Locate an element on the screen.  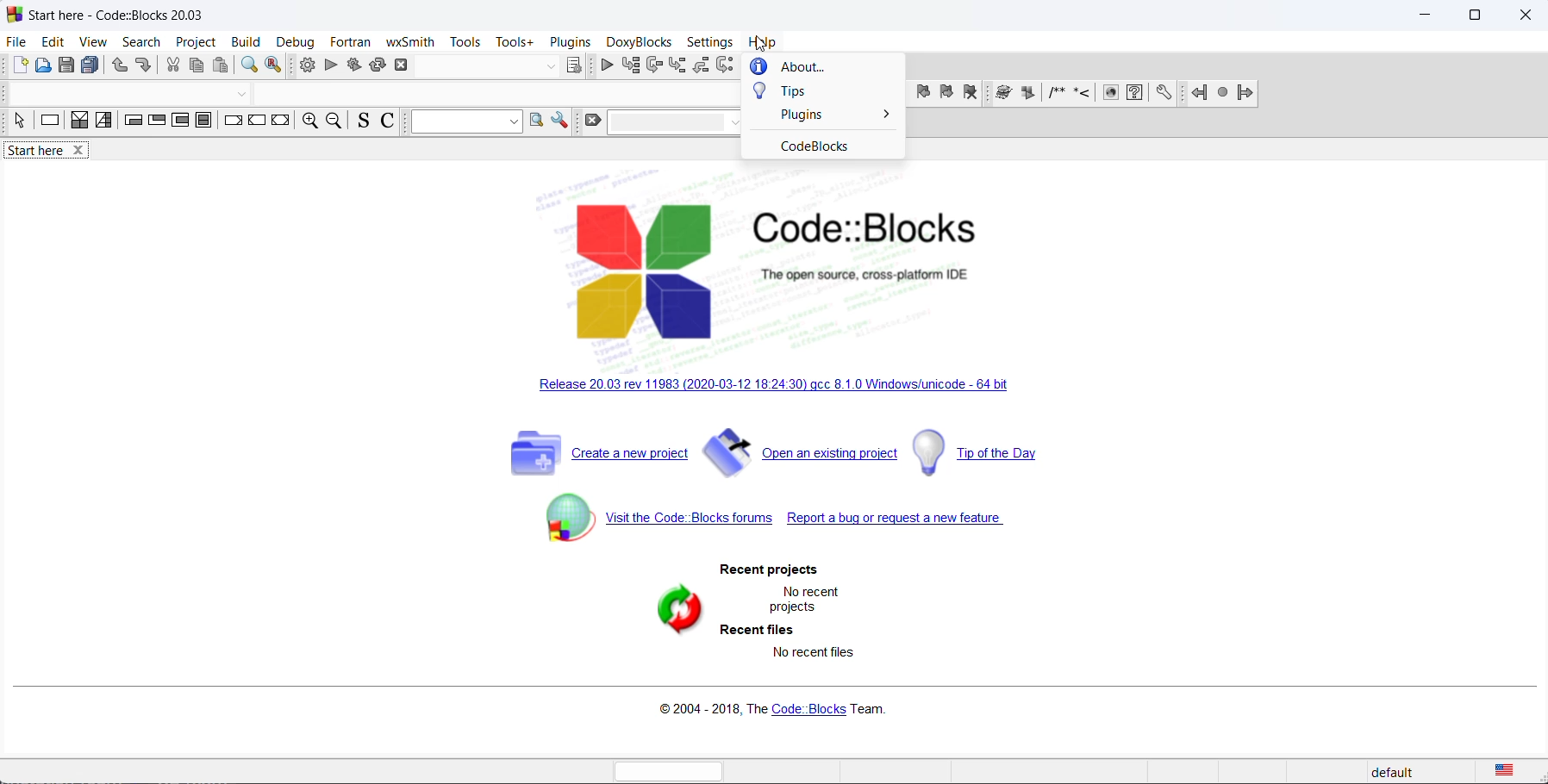
no recent projects is located at coordinates (802, 600).